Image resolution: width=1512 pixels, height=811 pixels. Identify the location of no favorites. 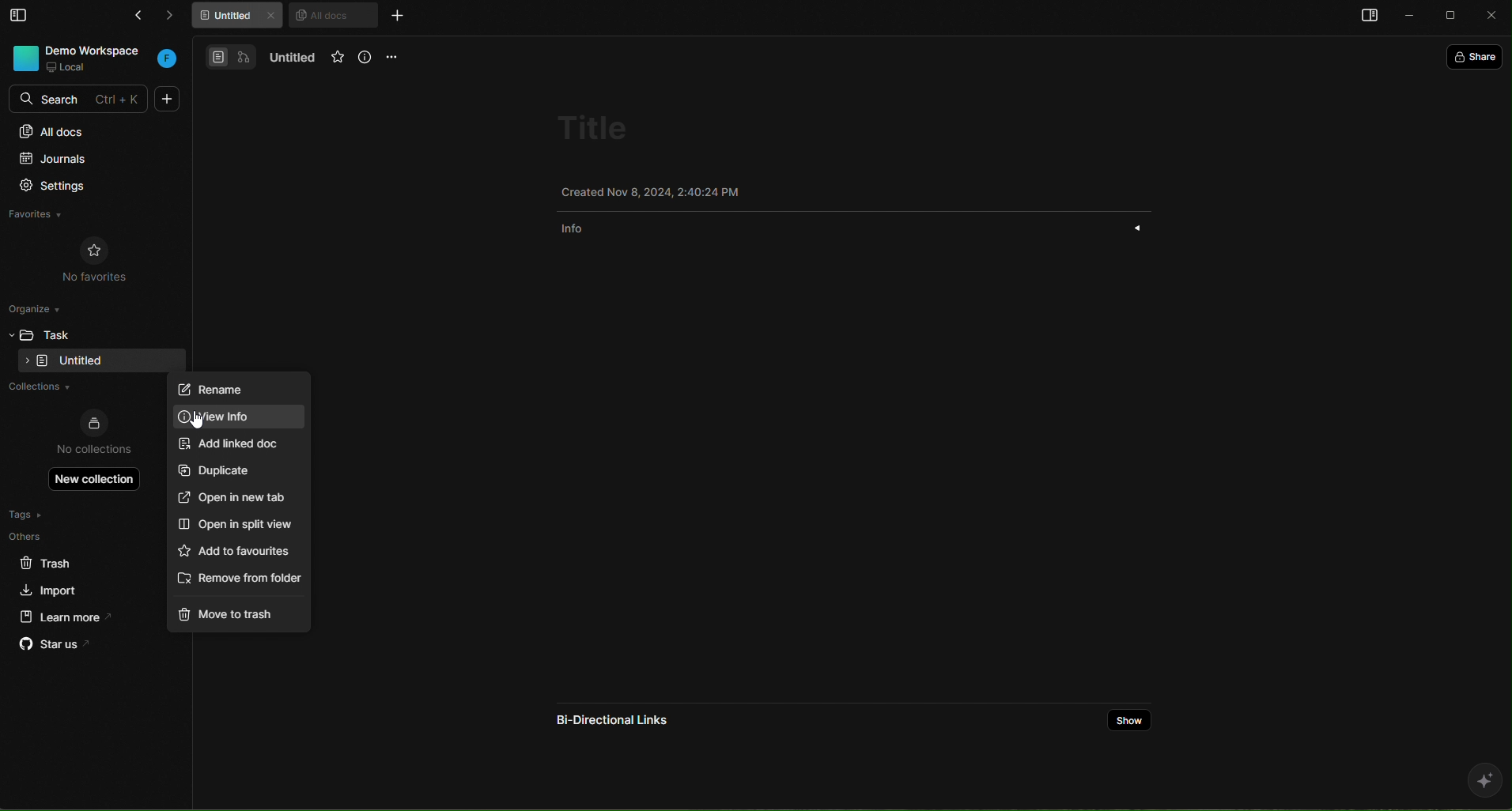
(95, 258).